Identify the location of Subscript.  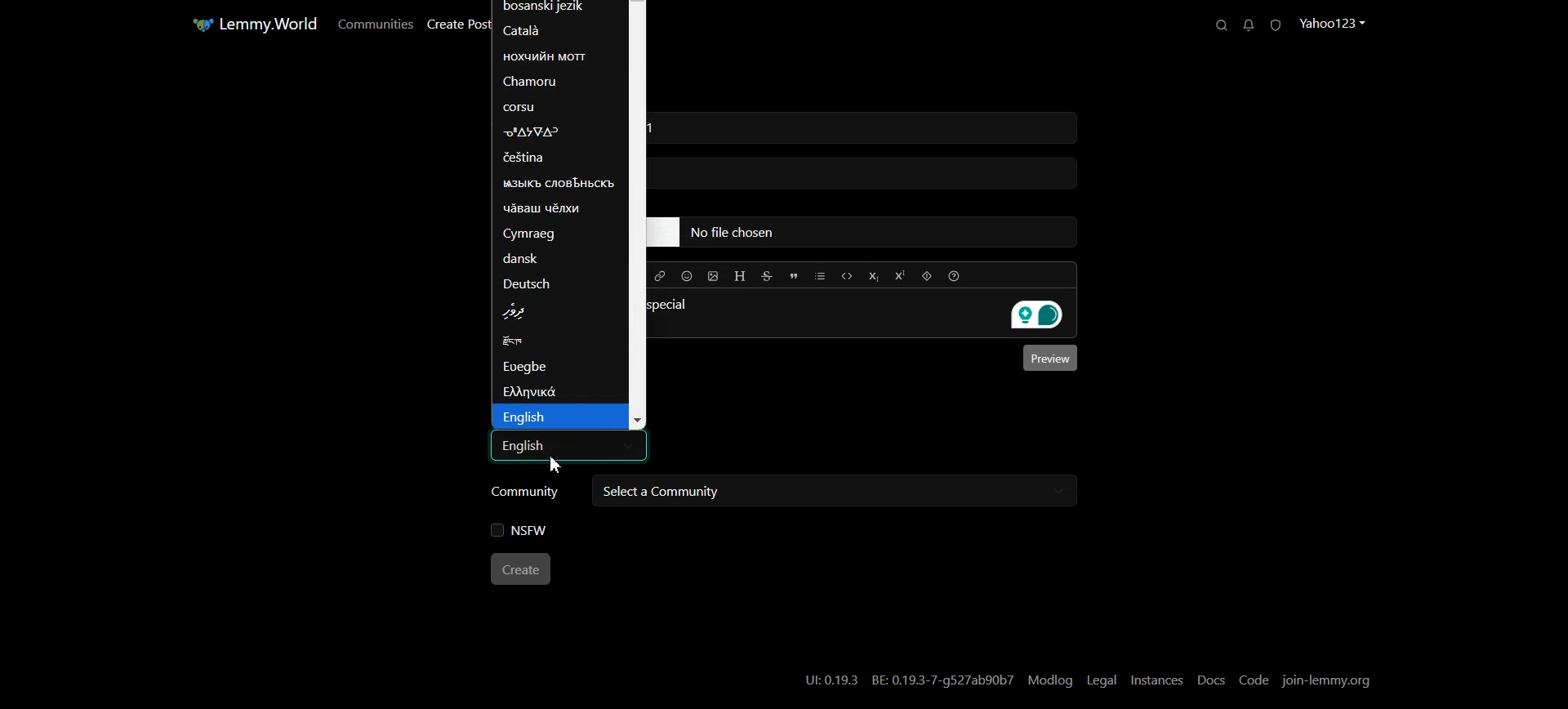
(875, 276).